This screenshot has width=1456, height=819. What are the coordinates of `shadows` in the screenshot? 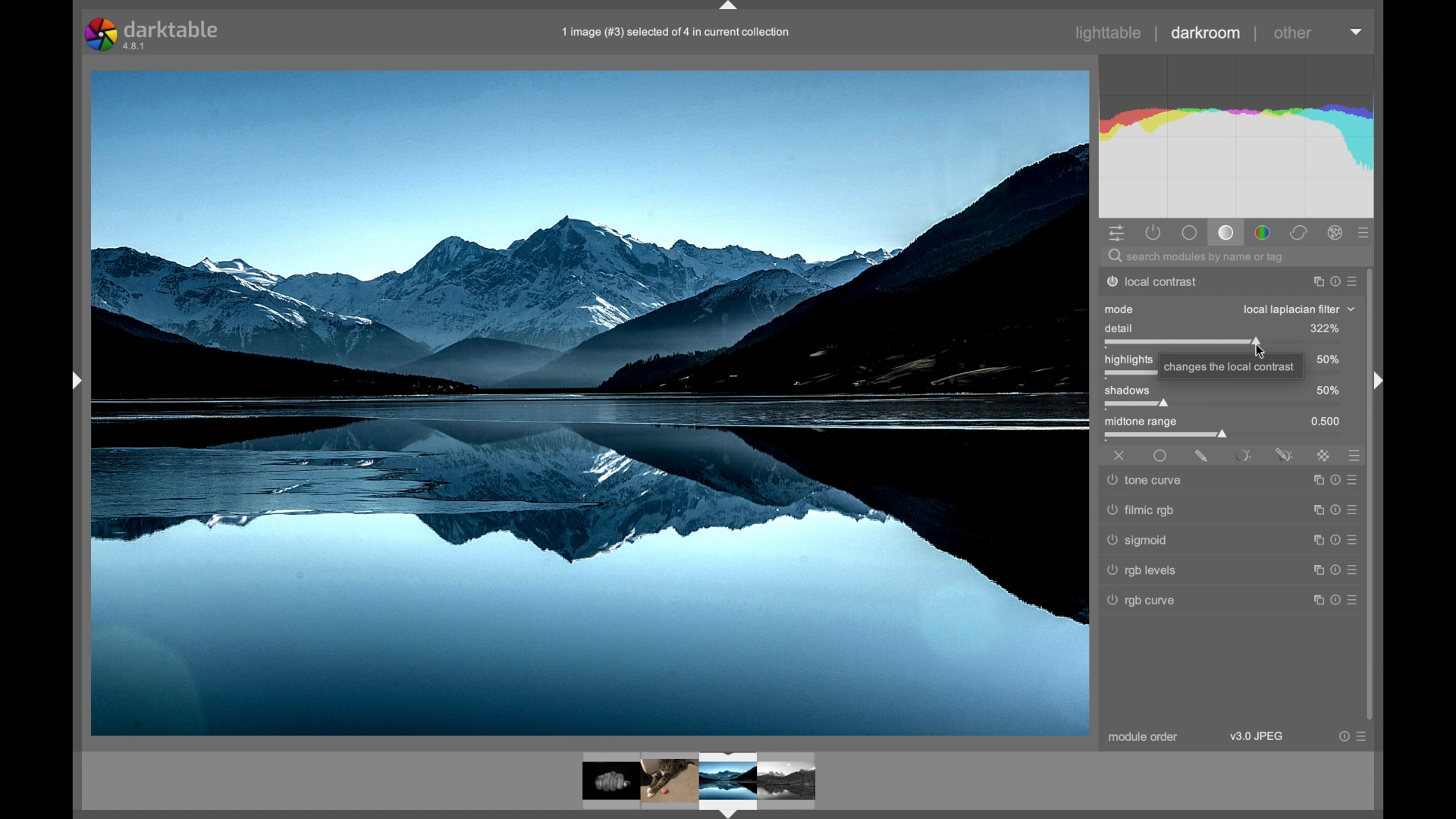 It's located at (1128, 390).